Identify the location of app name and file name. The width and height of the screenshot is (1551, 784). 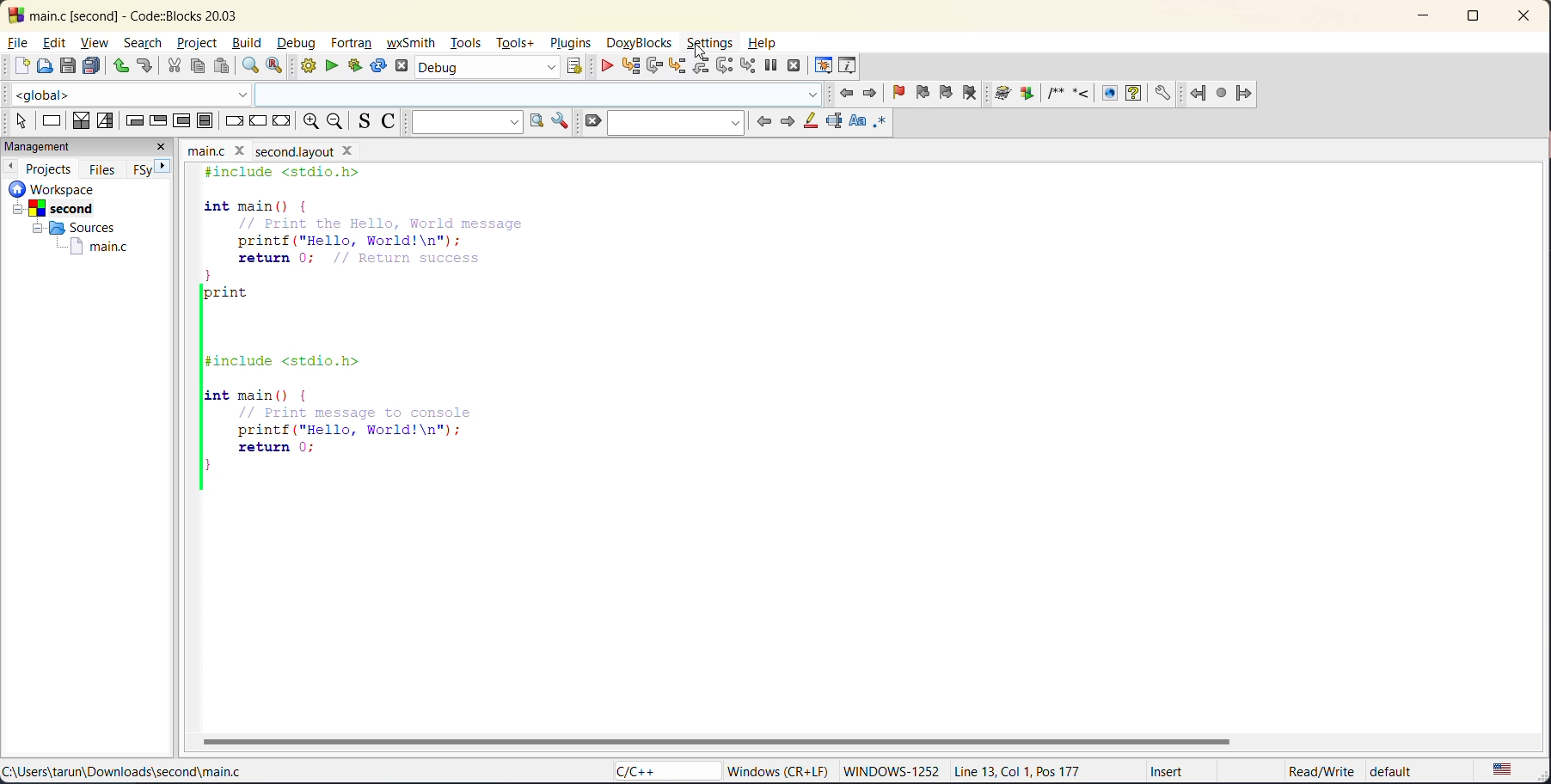
(152, 13).